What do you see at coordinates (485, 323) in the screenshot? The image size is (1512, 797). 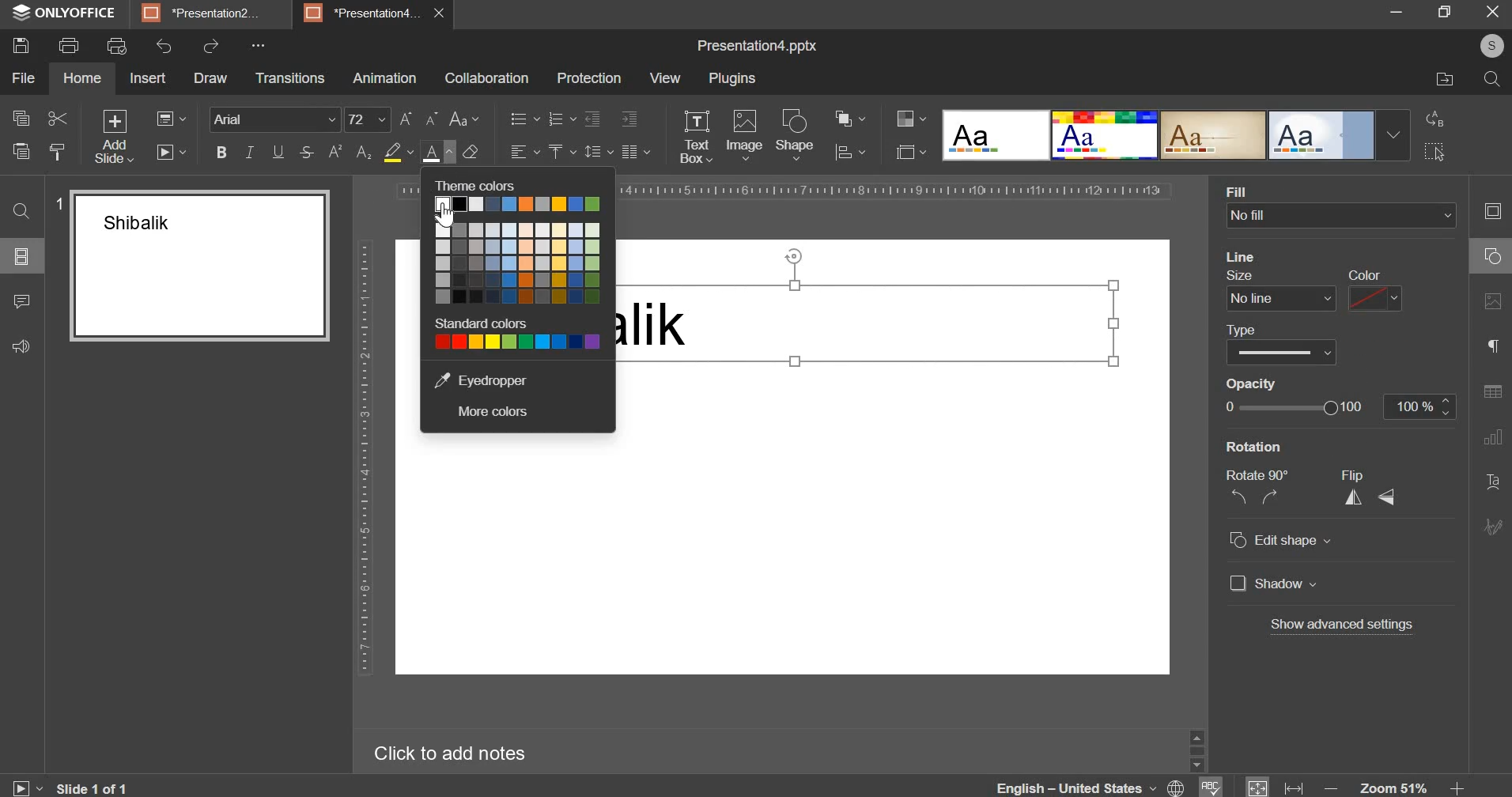 I see `standard colors` at bounding box center [485, 323].